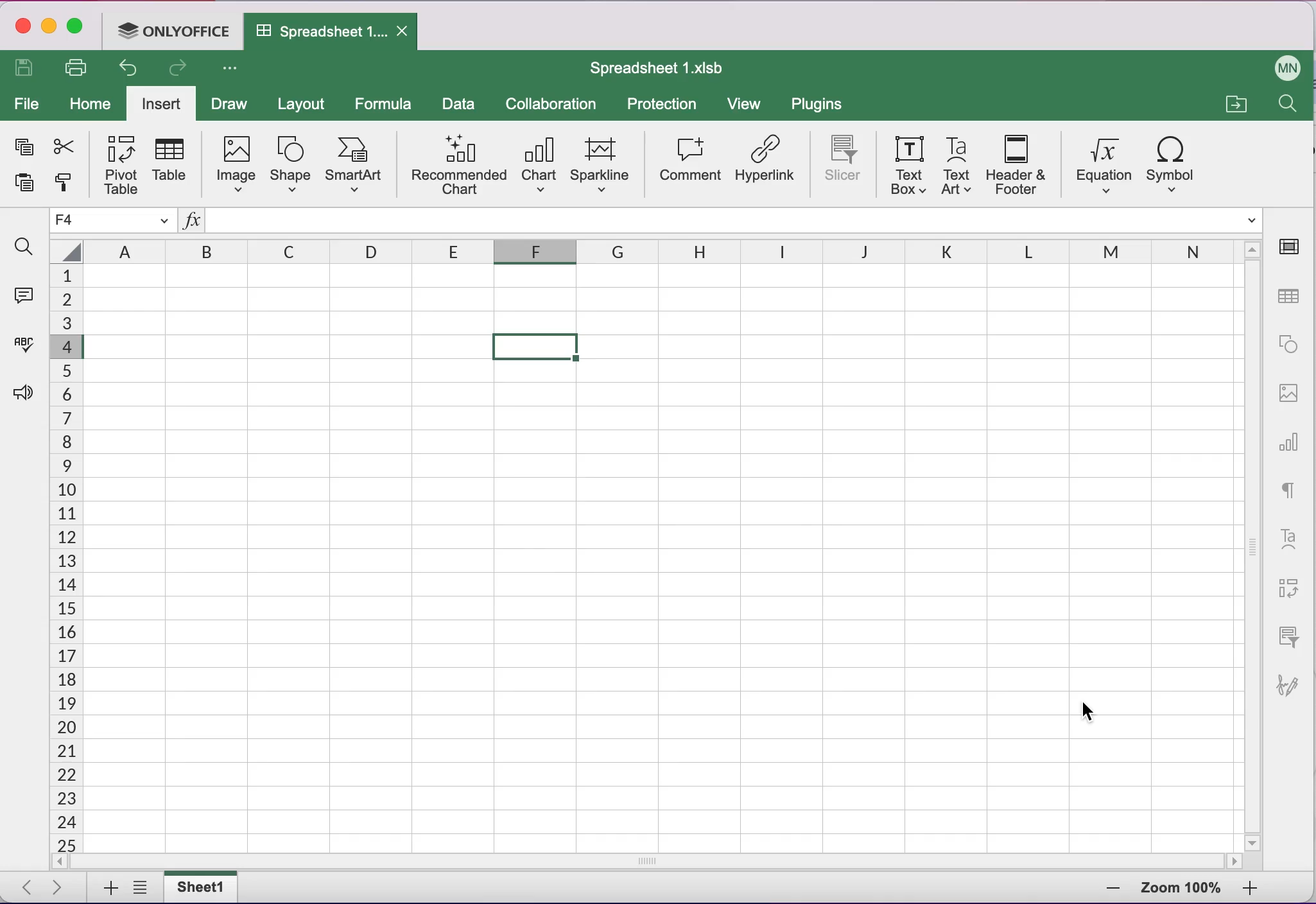 The height and width of the screenshot is (904, 1316). Describe the element at coordinates (192, 223) in the screenshot. I see `function` at that location.